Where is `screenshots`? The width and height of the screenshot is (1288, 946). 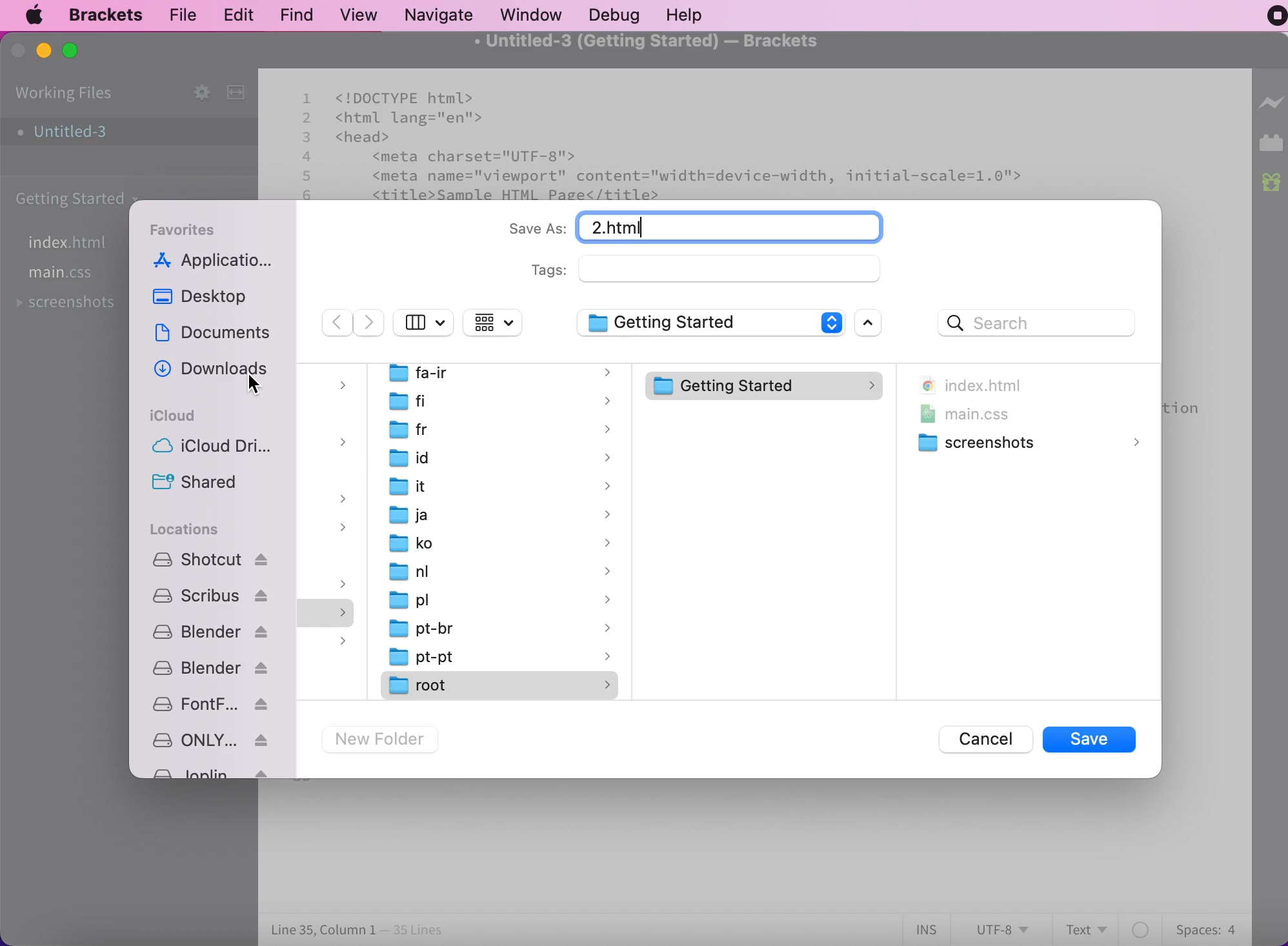 screenshots is located at coordinates (72, 301).